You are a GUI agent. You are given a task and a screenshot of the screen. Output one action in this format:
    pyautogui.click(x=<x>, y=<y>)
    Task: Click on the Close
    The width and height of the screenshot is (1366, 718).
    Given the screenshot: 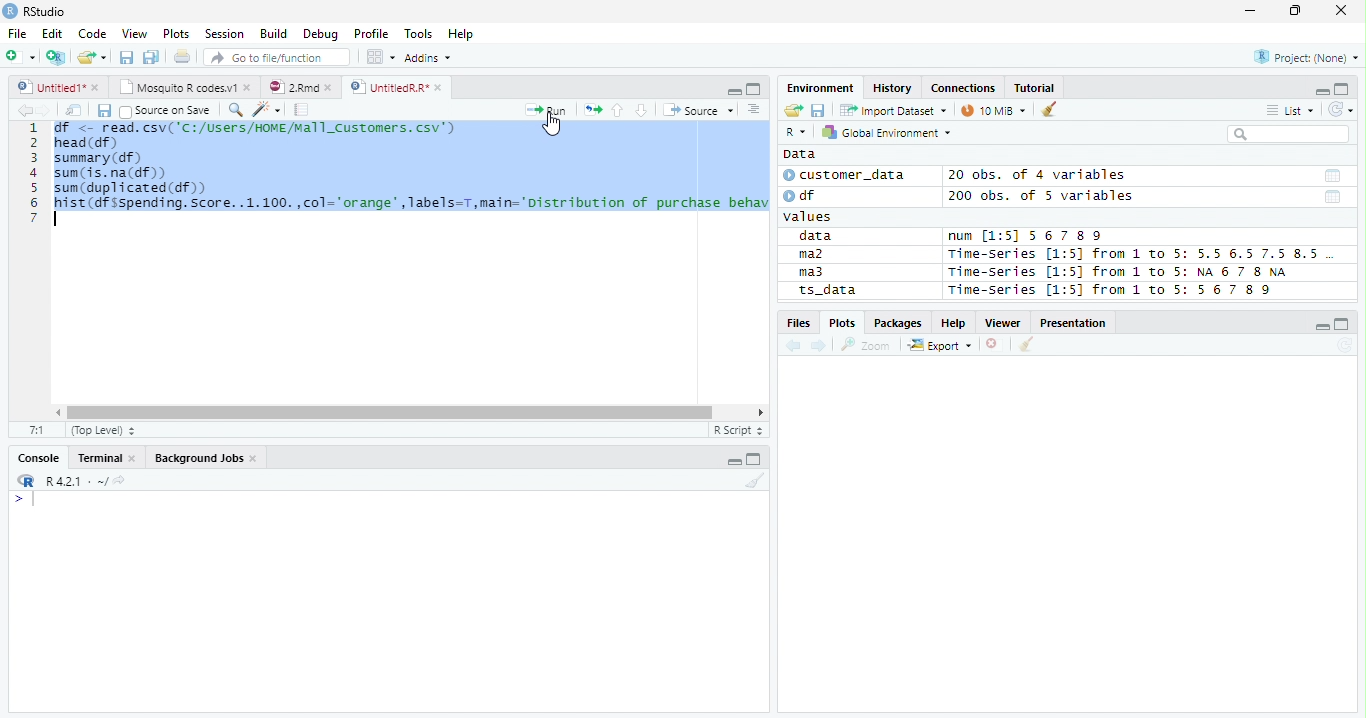 What is the action you would take?
    pyautogui.click(x=1340, y=11)
    